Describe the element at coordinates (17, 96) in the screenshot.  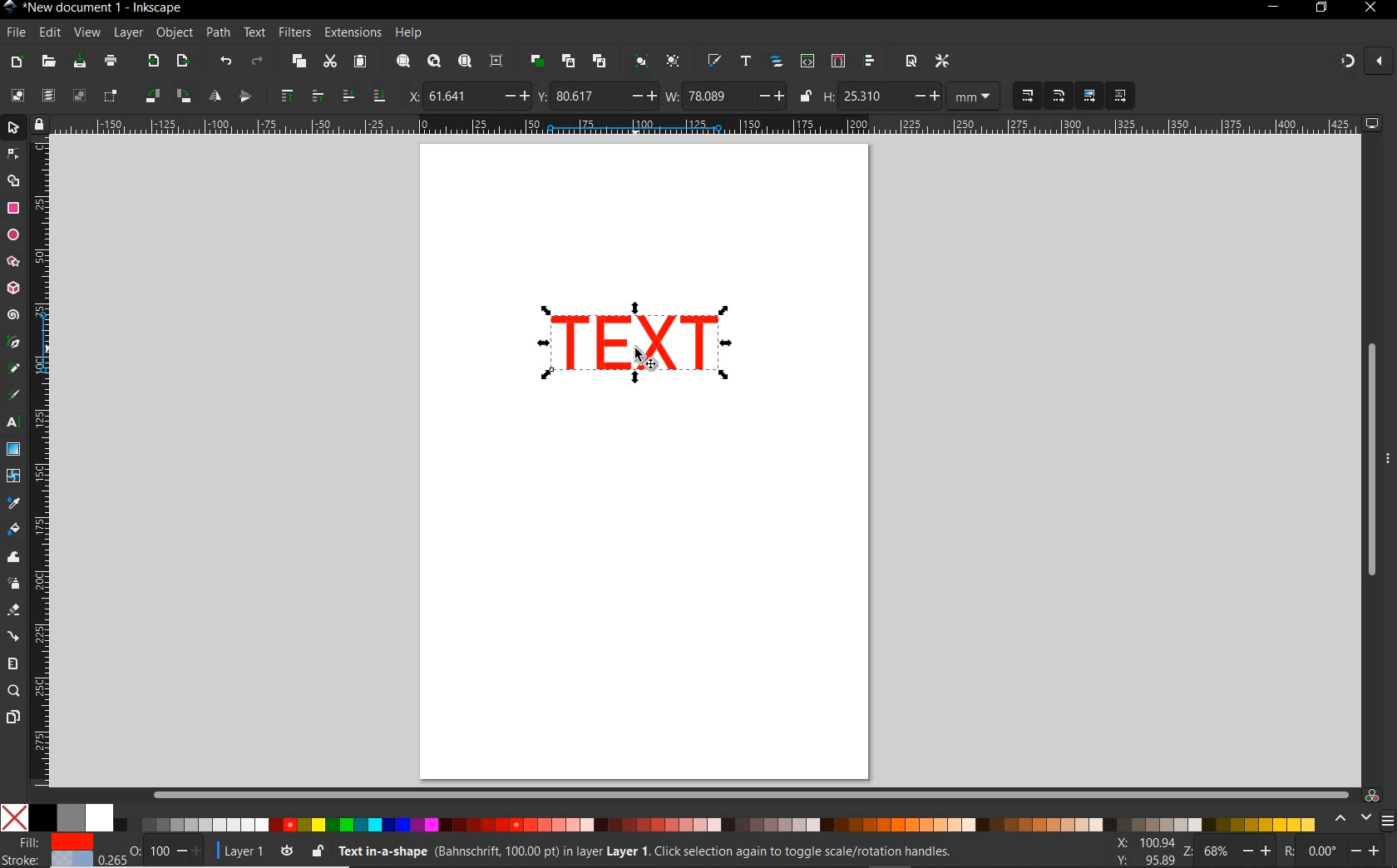
I see `select all` at that location.